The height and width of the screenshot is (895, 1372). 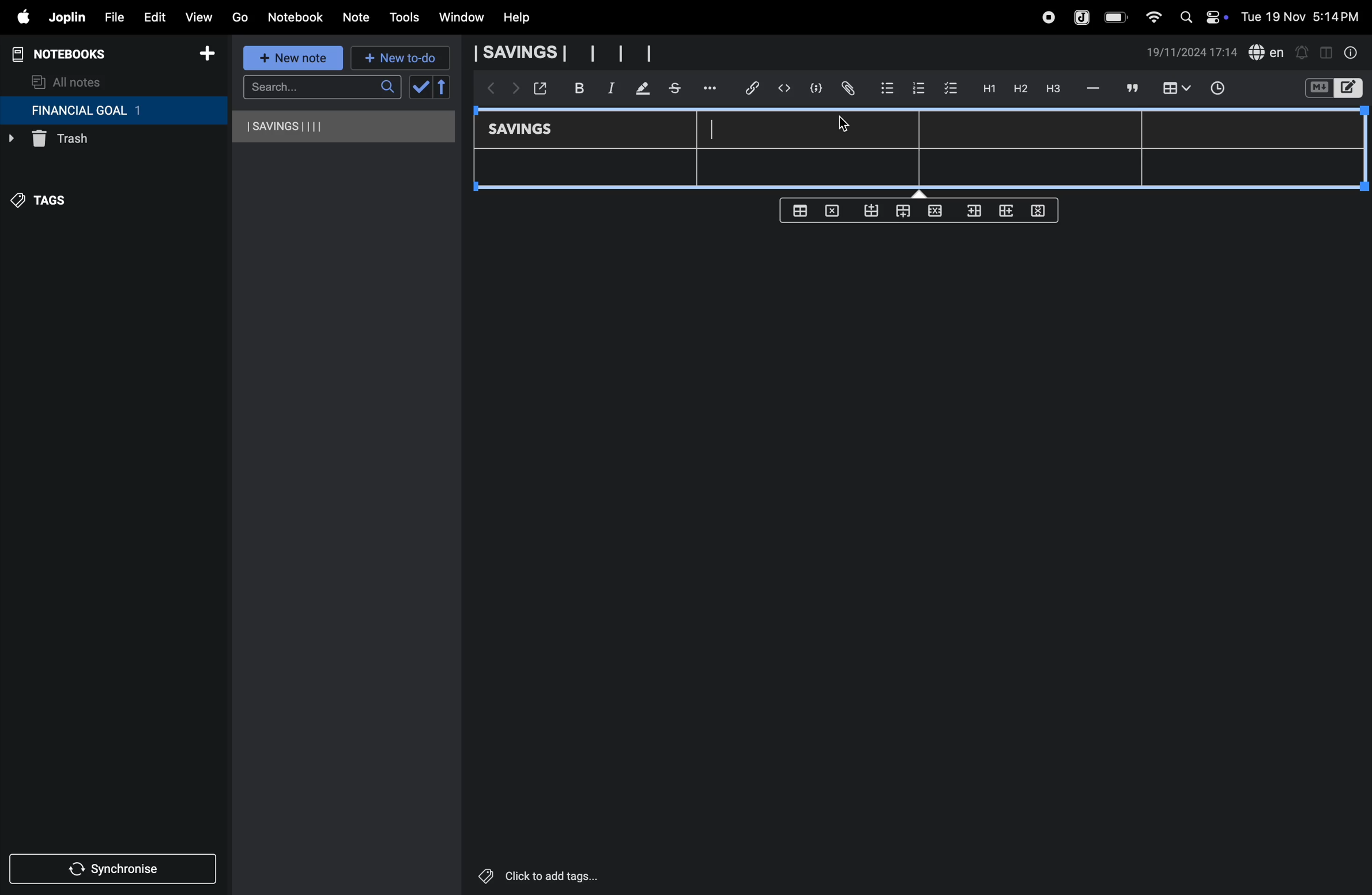 What do you see at coordinates (69, 54) in the screenshot?
I see `notebooks` at bounding box center [69, 54].